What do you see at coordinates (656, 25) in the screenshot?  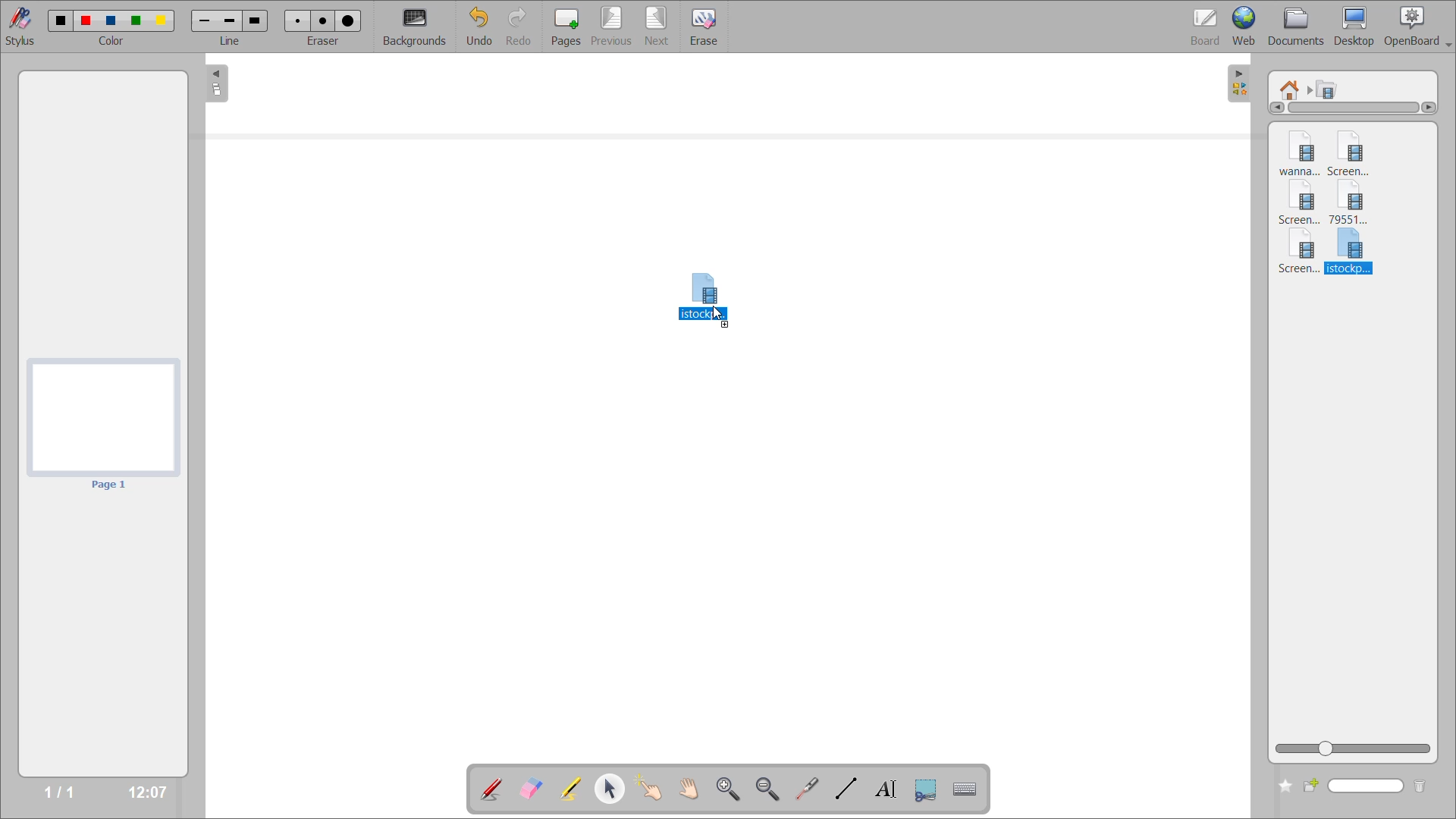 I see `next` at bounding box center [656, 25].